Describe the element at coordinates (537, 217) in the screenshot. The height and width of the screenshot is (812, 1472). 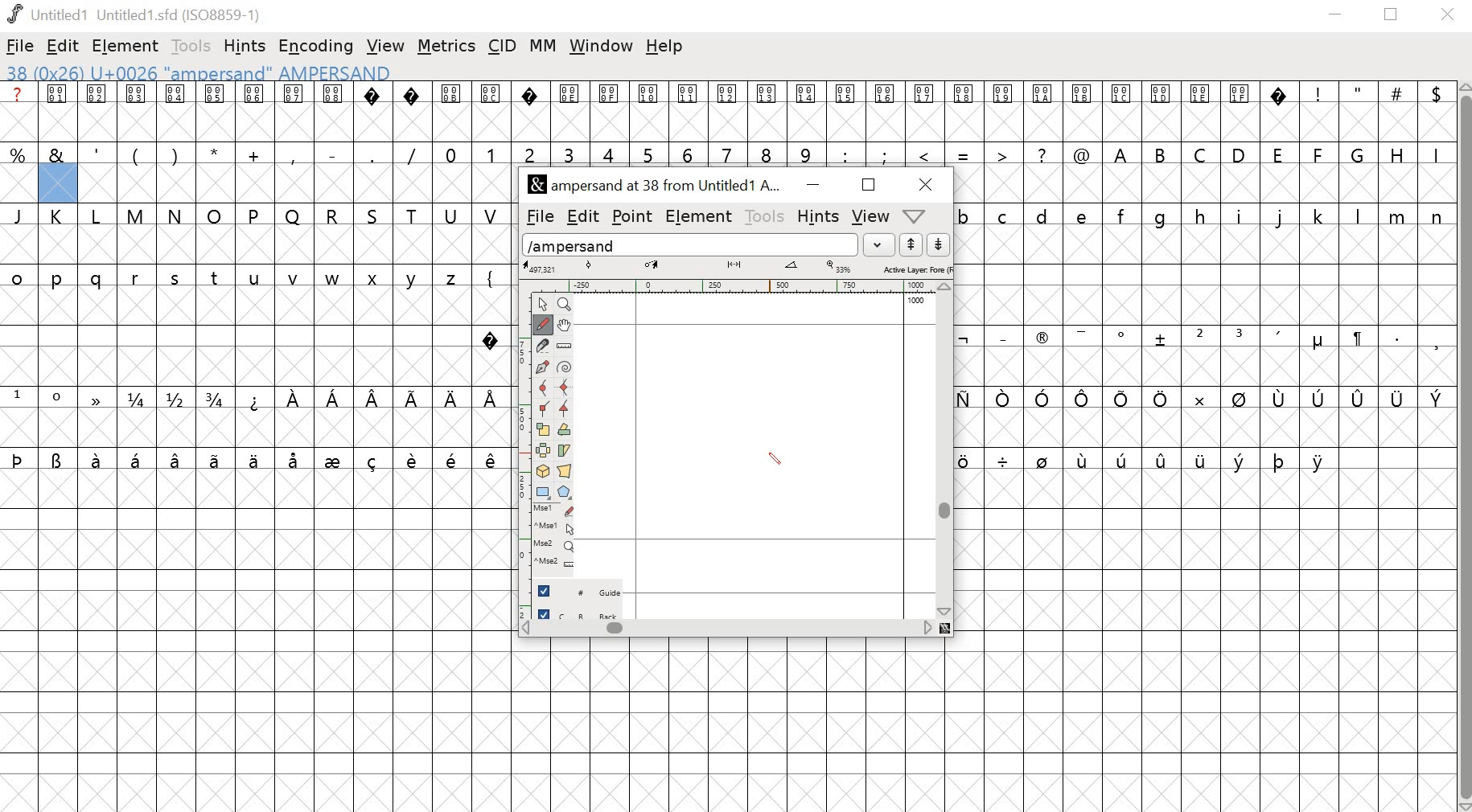
I see `file` at that location.